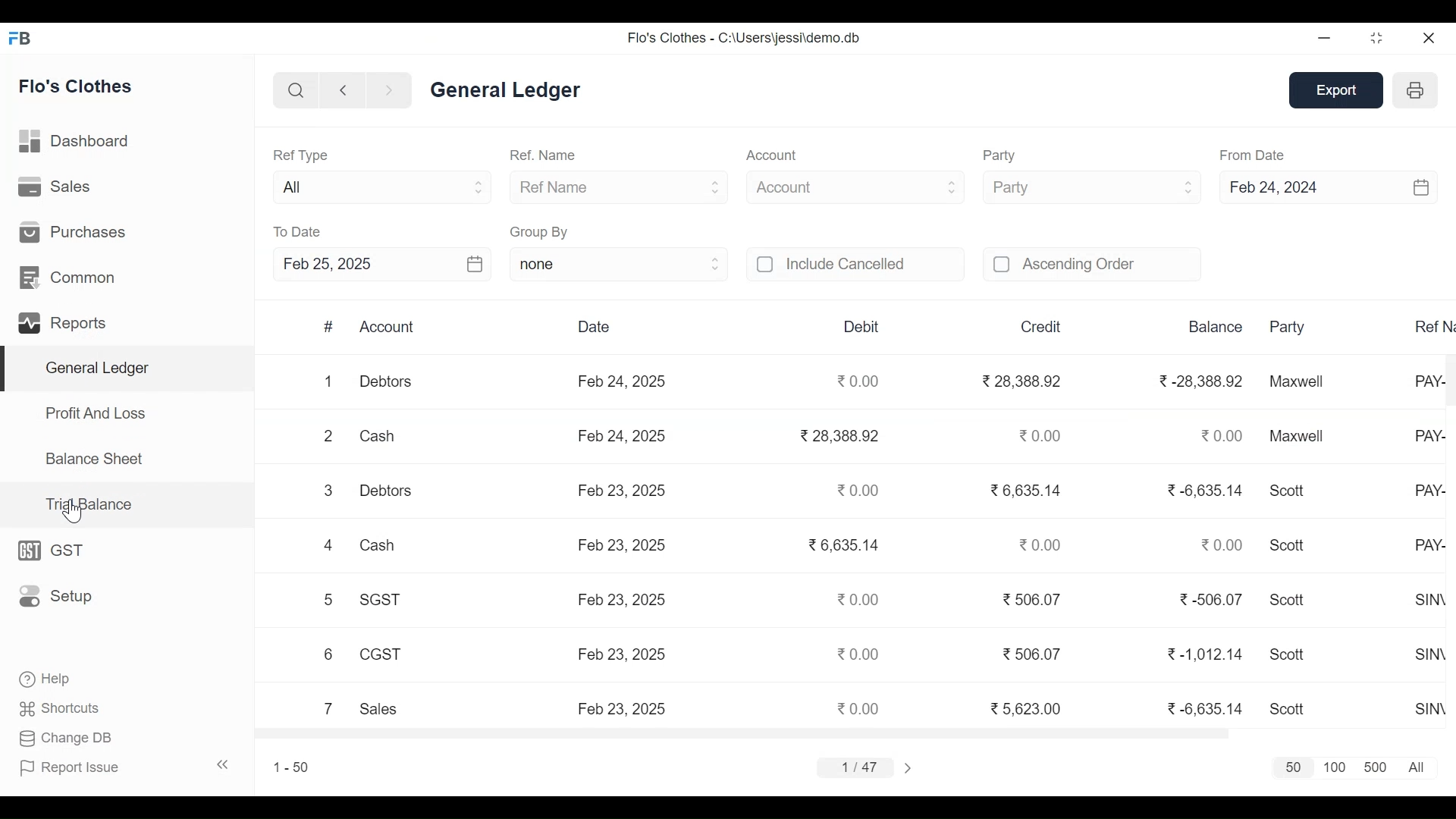 Image resolution: width=1456 pixels, height=819 pixels. What do you see at coordinates (385, 380) in the screenshot?
I see `Debtors` at bounding box center [385, 380].